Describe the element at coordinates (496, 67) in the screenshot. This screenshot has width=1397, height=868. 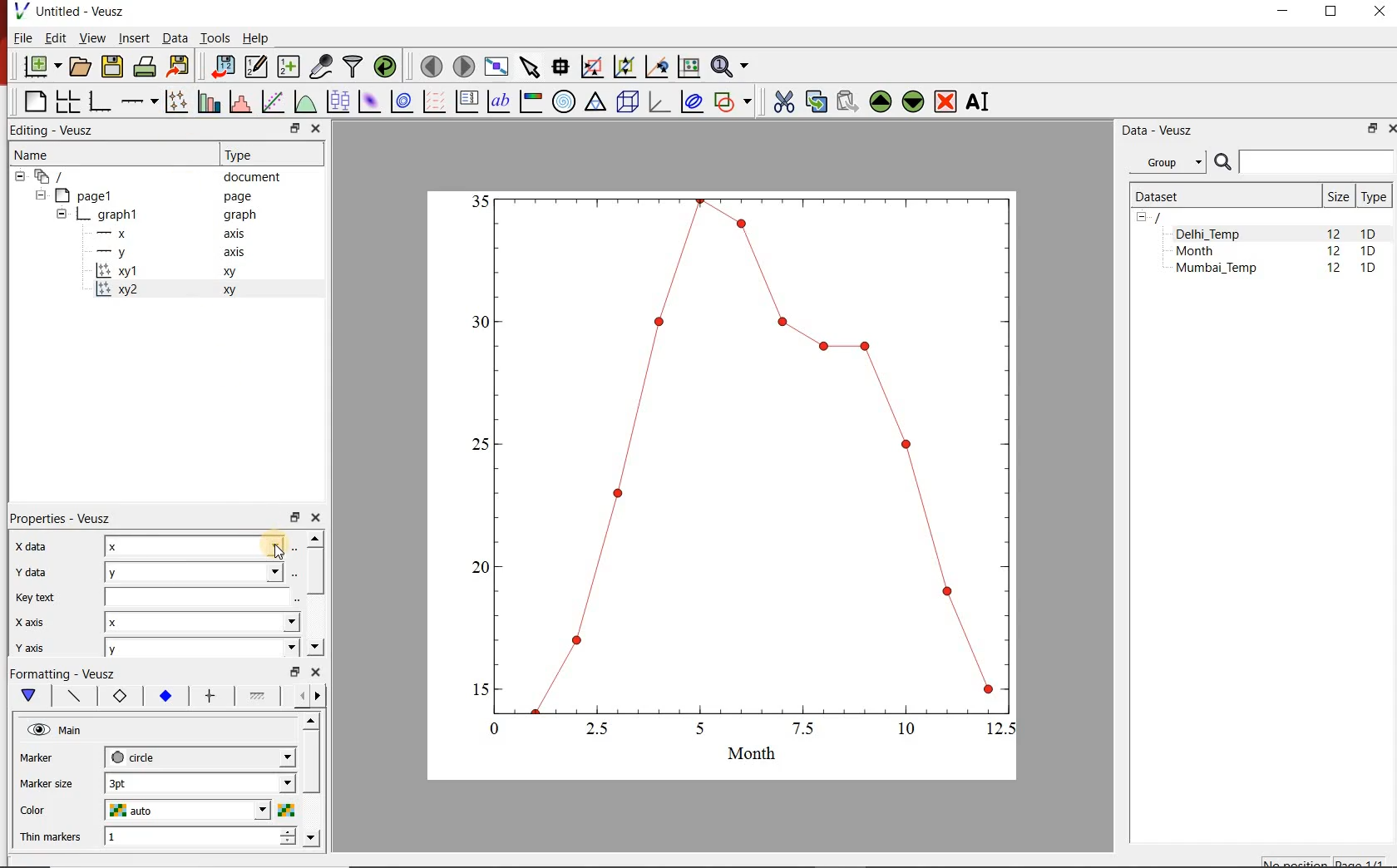
I see `view plot full screen` at that location.